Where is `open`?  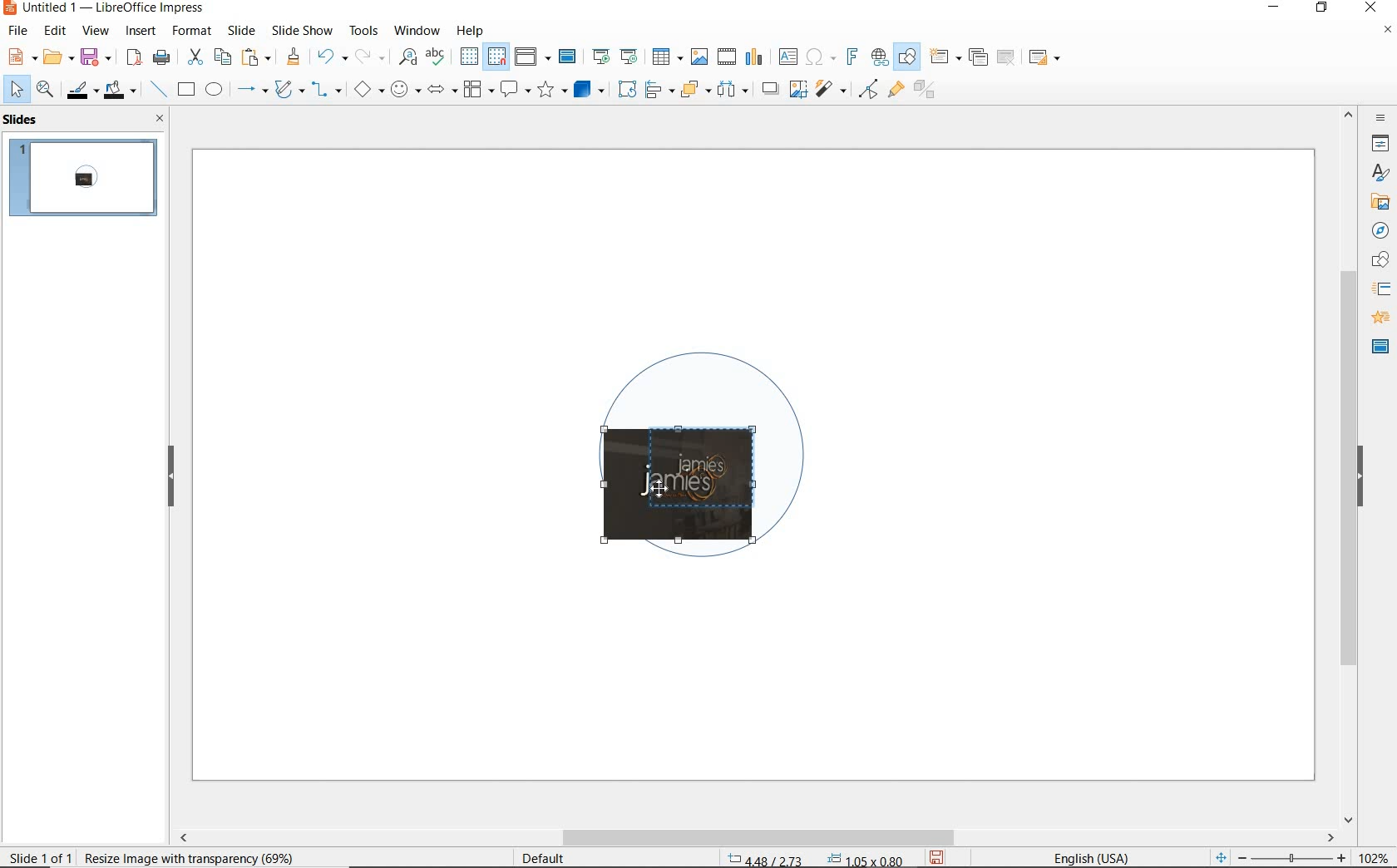
open is located at coordinates (56, 57).